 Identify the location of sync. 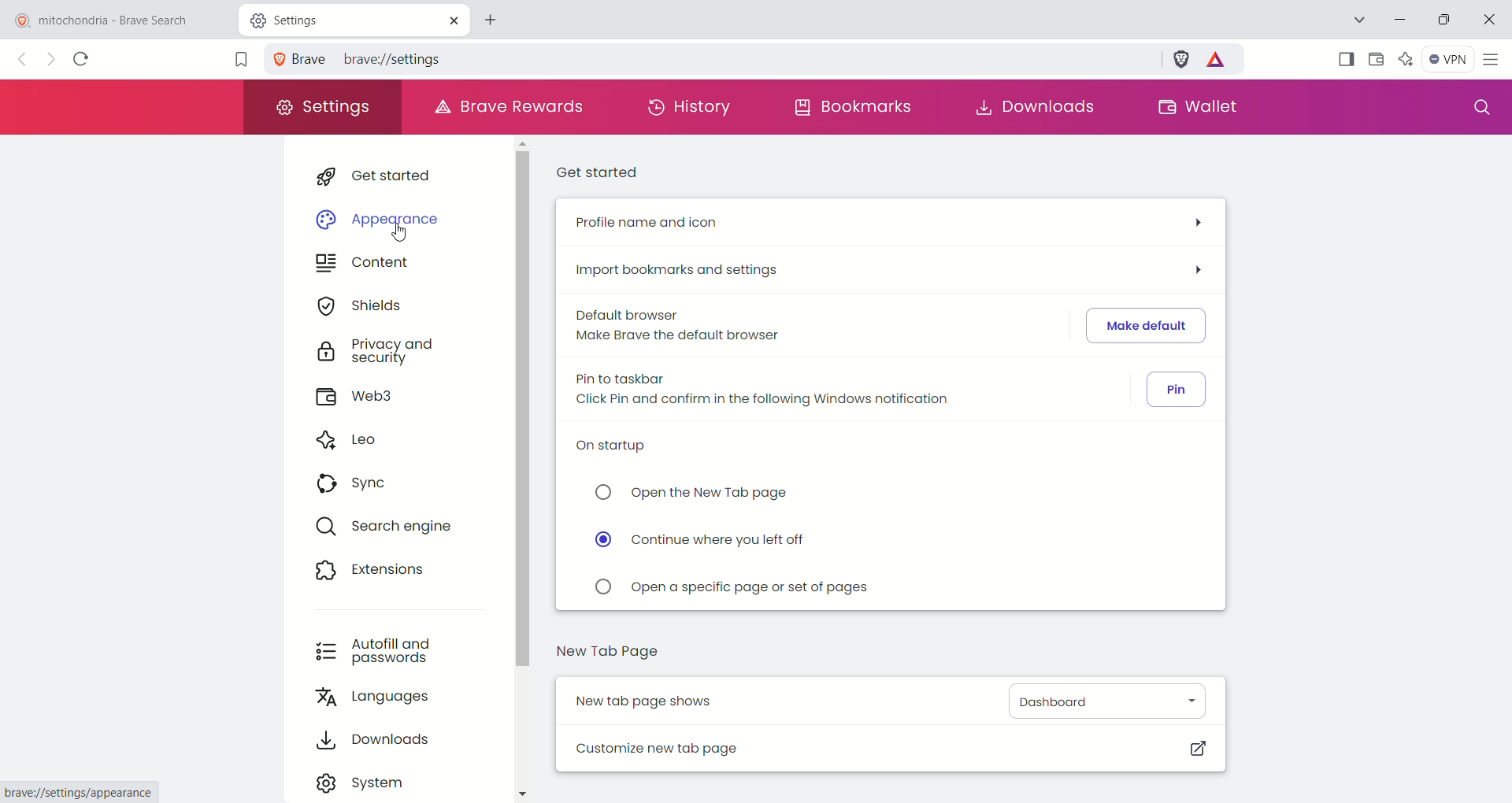
(354, 486).